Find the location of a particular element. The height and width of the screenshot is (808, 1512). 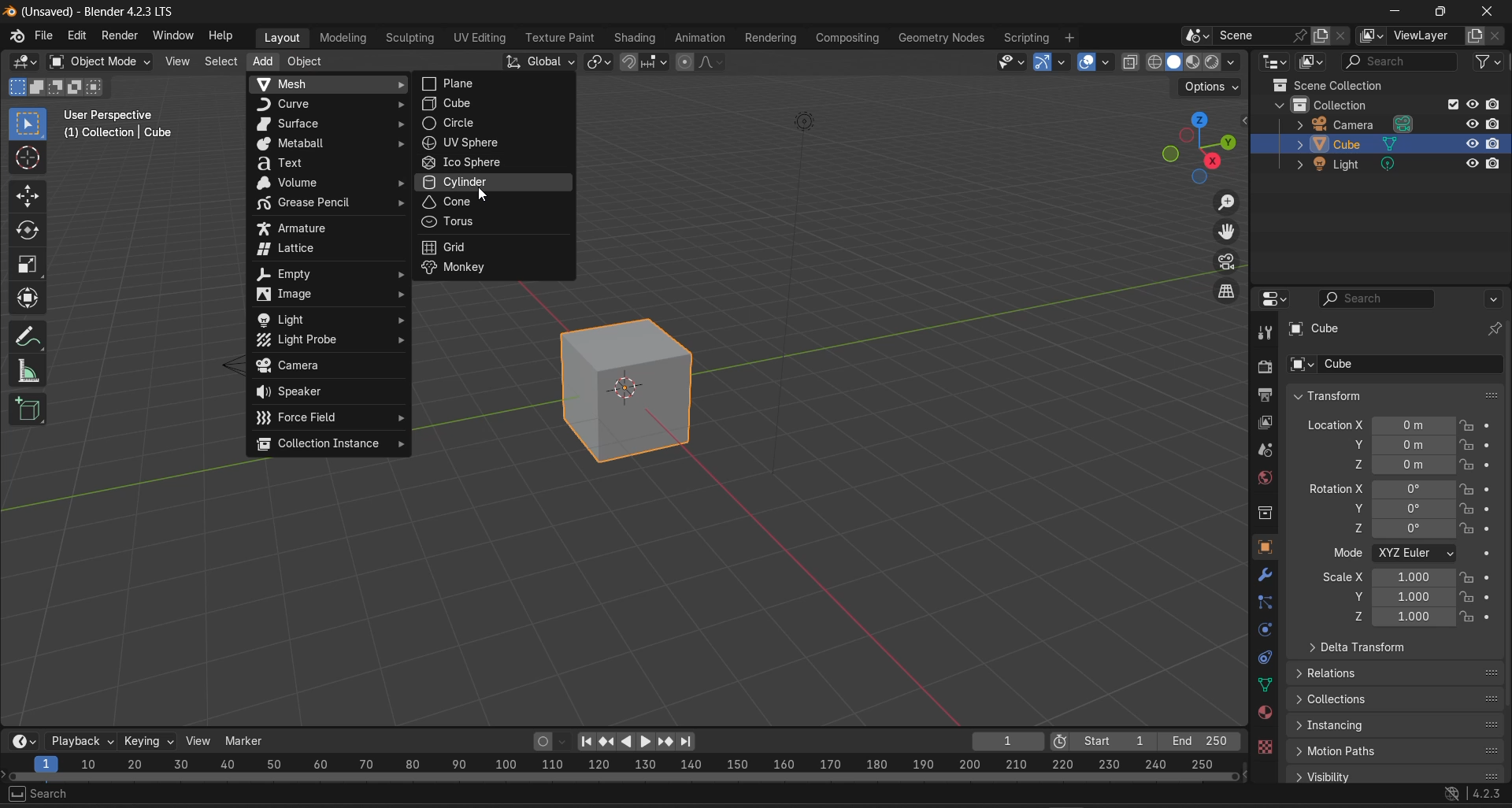

use preview range is located at coordinates (1066, 739).